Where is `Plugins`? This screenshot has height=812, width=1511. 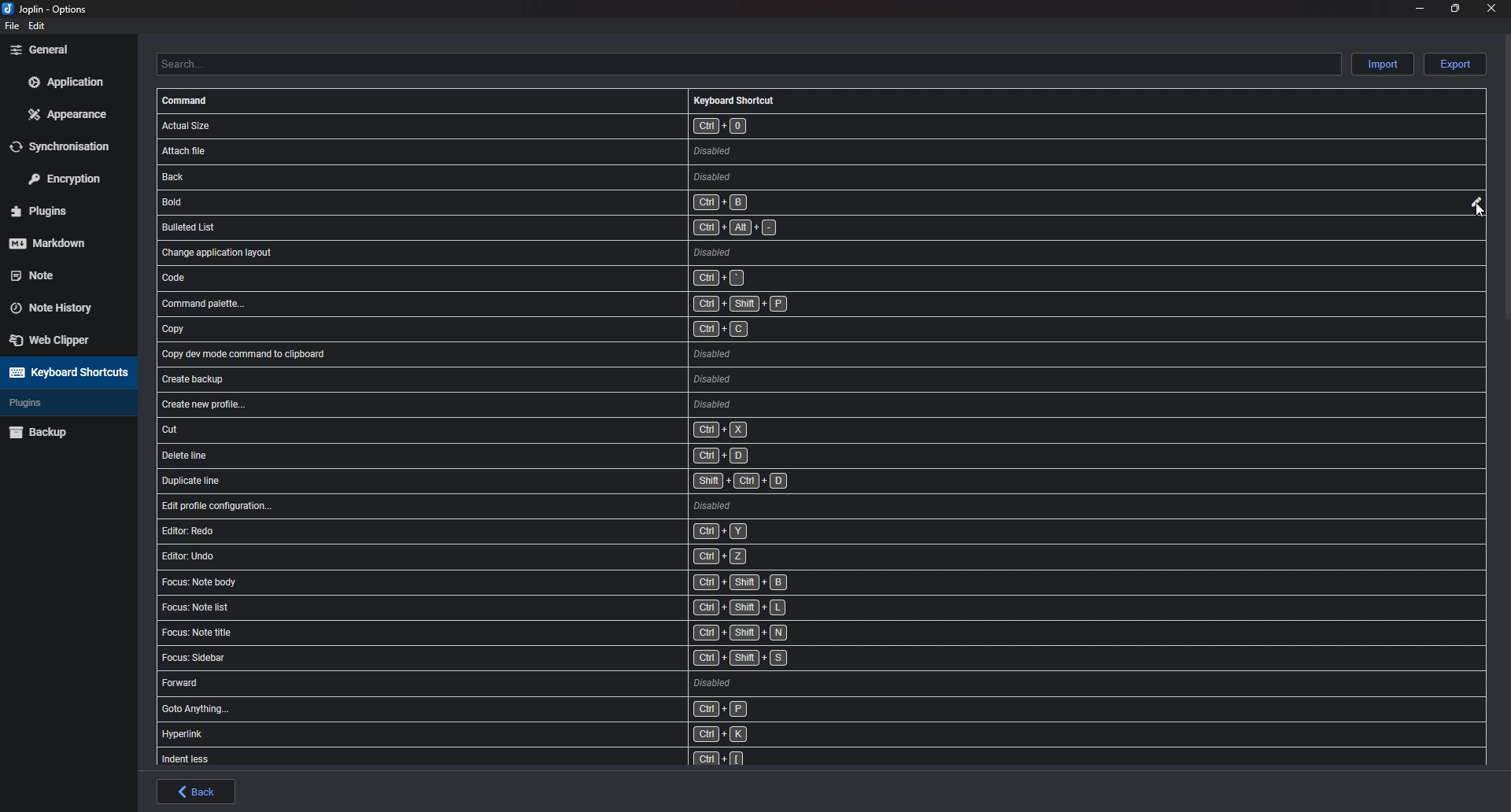
Plugins is located at coordinates (57, 403).